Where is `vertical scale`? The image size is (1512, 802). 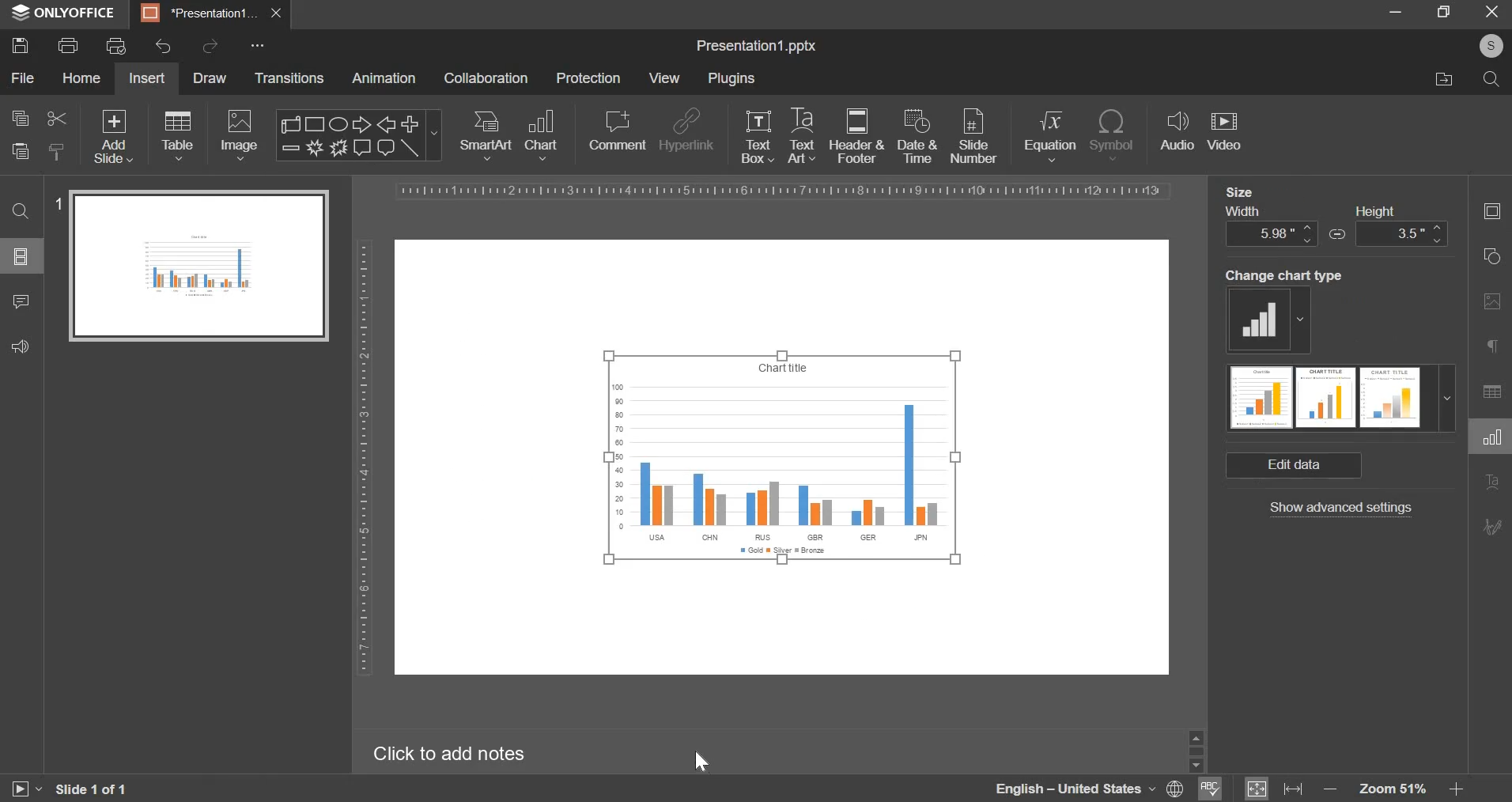
vertical scale is located at coordinates (367, 456).